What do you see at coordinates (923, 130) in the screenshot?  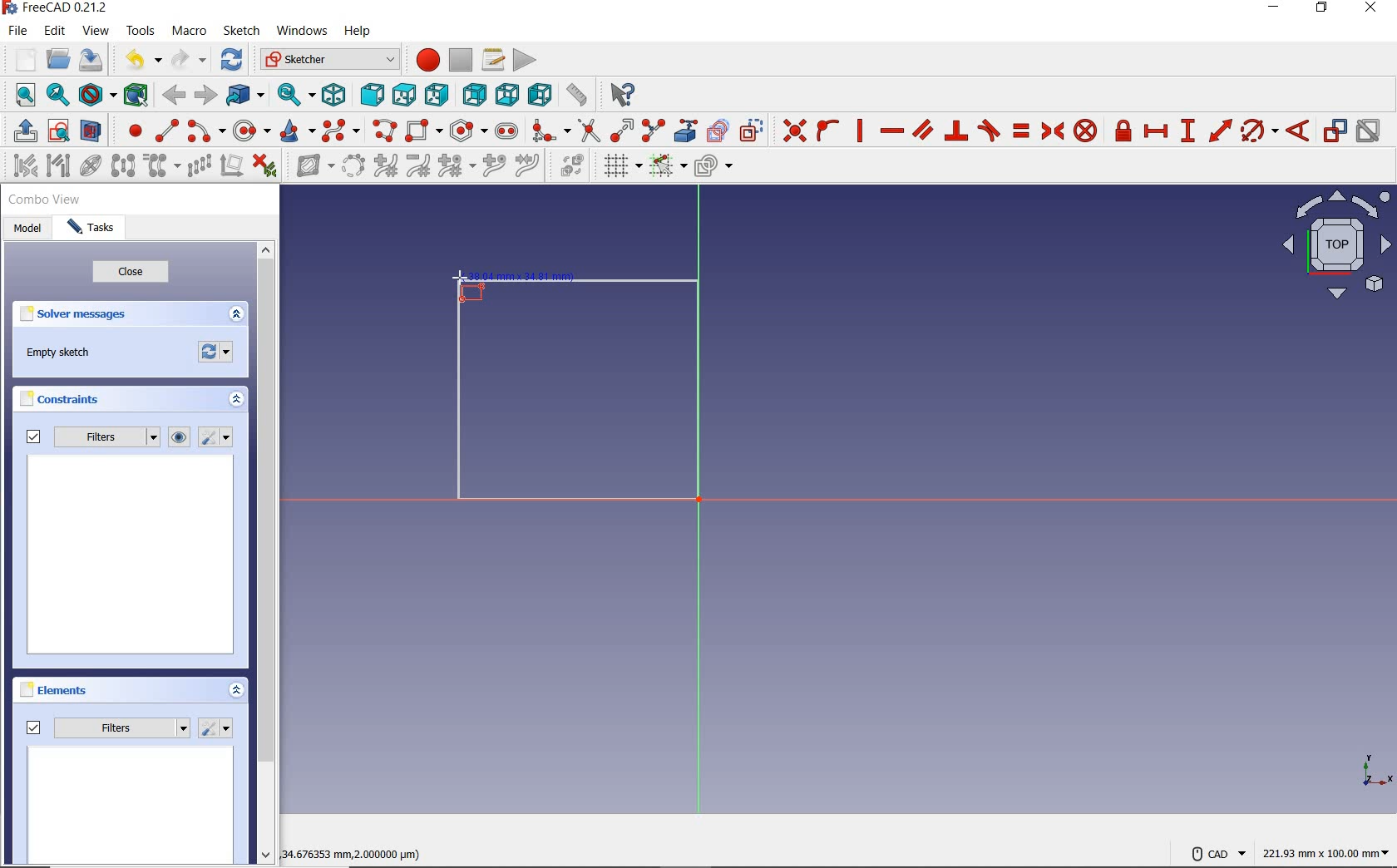 I see `constrain parallel` at bounding box center [923, 130].